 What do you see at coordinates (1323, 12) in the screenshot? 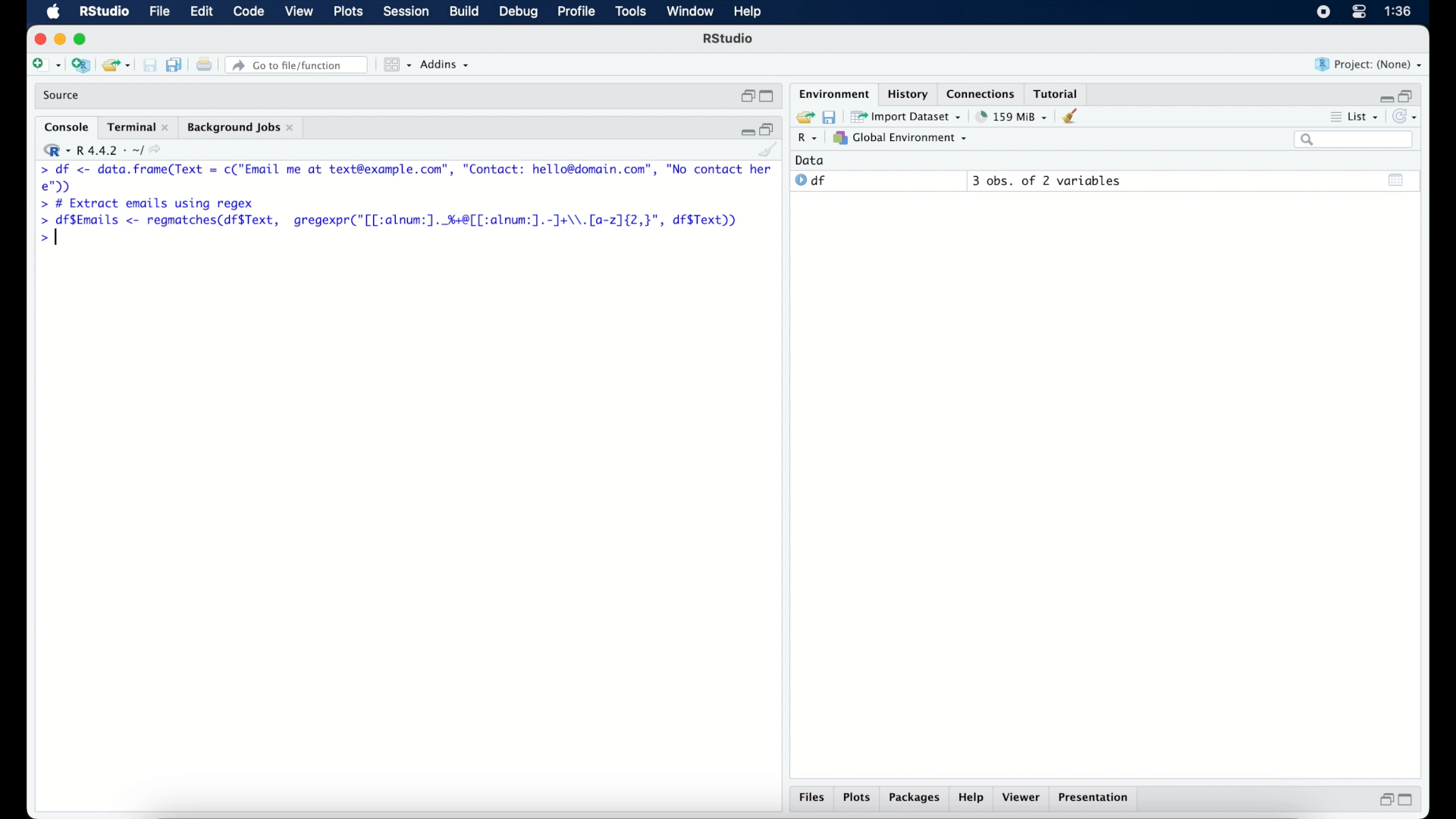
I see `screen recorder icon` at bounding box center [1323, 12].